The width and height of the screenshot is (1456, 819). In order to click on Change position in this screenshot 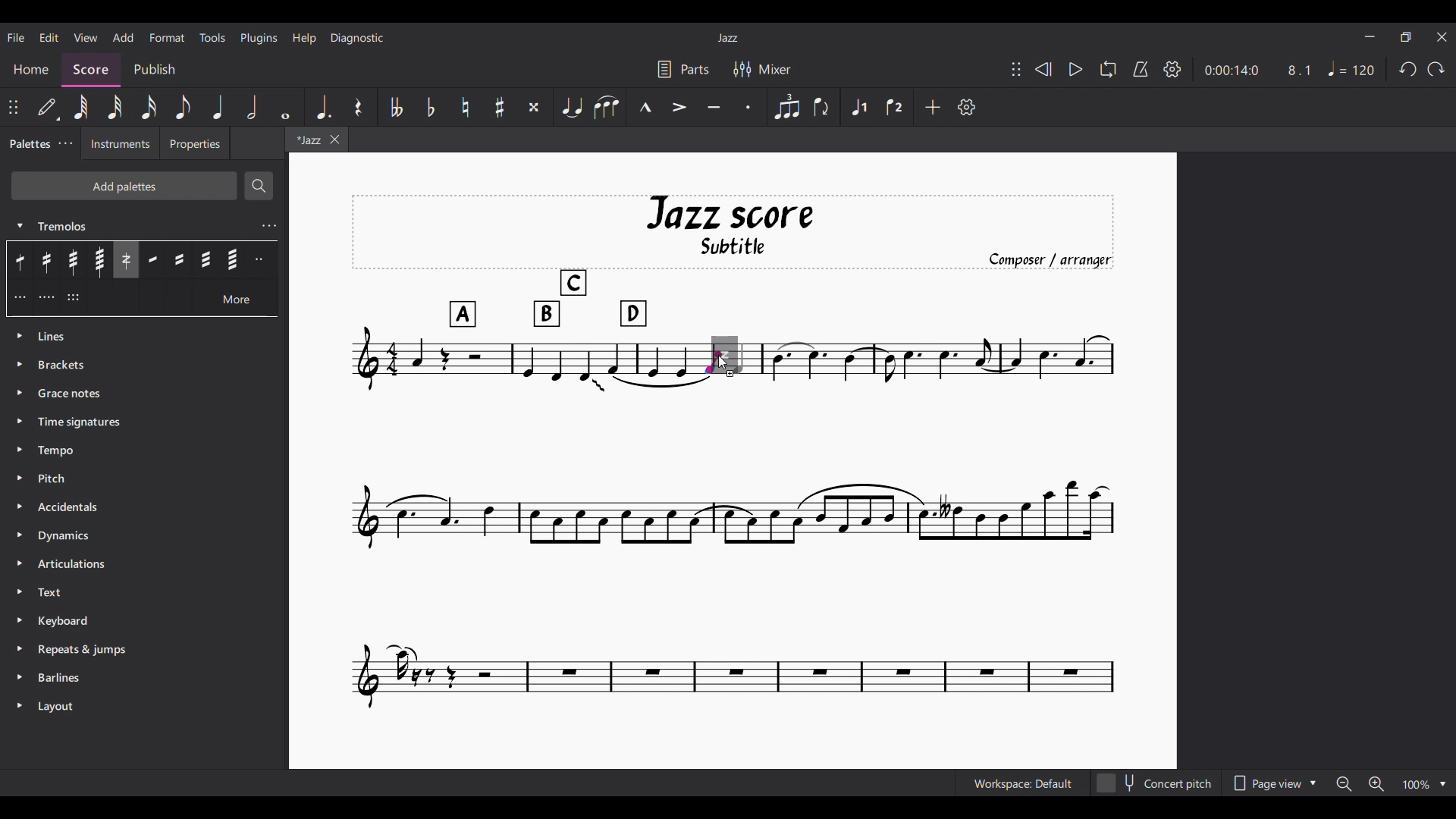, I will do `click(1016, 69)`.